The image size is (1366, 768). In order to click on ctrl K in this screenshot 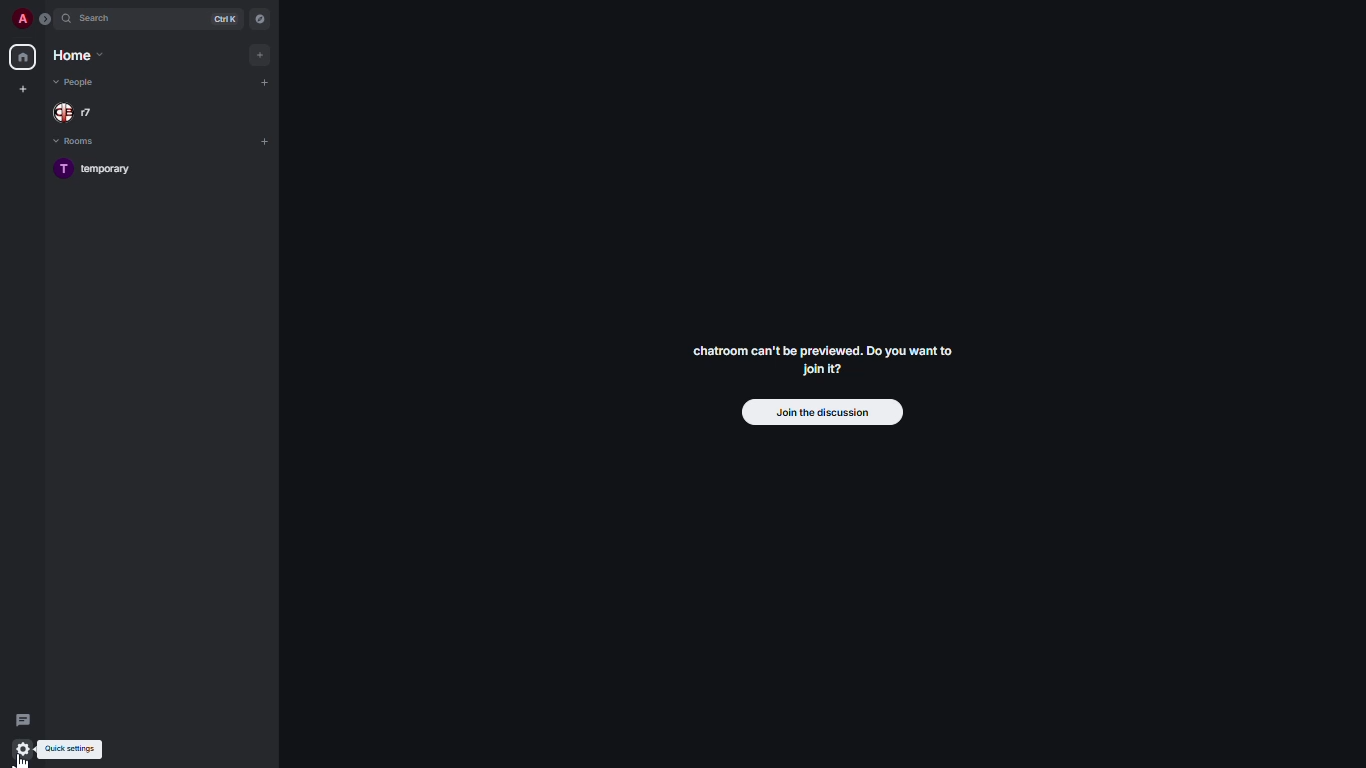, I will do `click(226, 18)`.